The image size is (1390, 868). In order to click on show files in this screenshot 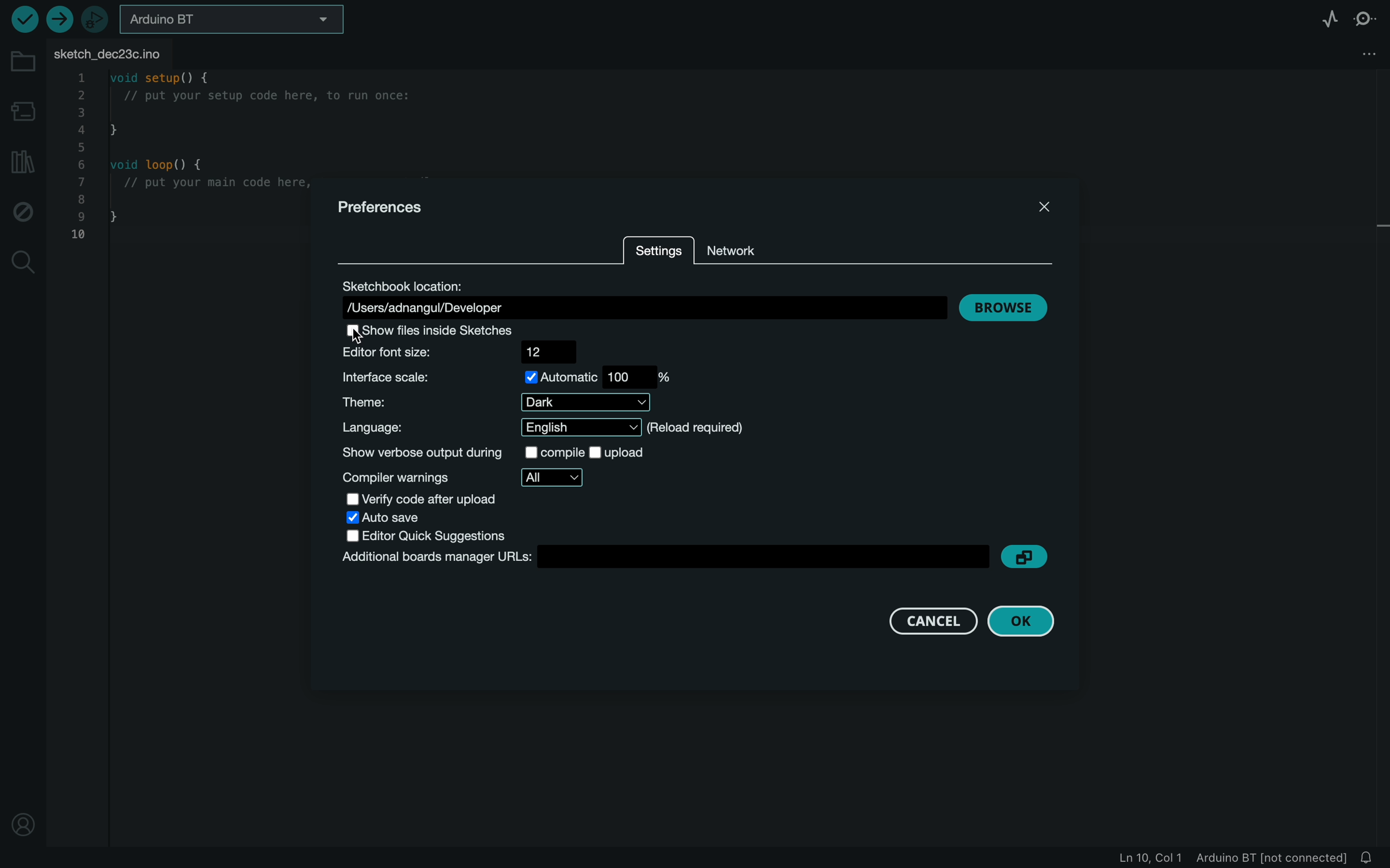, I will do `click(435, 329)`.